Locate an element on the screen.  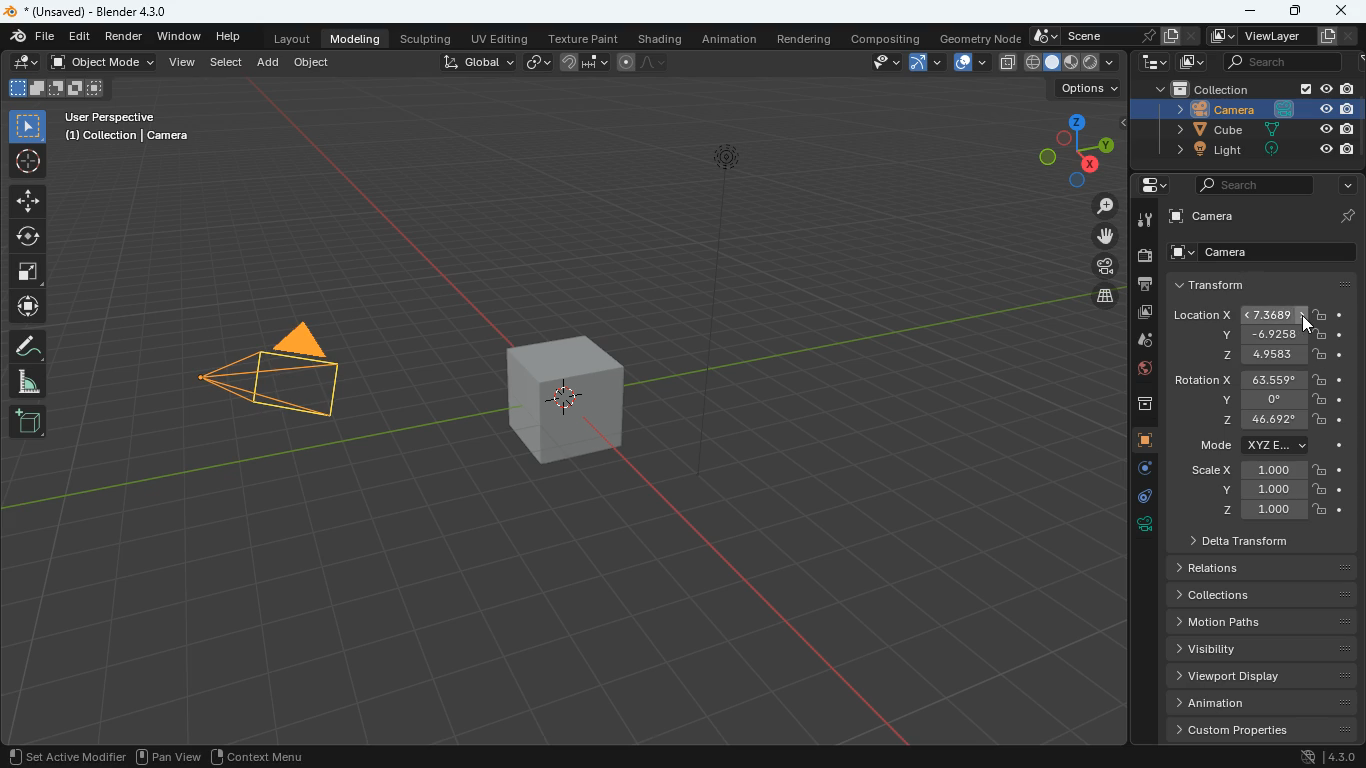
drop is located at coordinates (1140, 342).